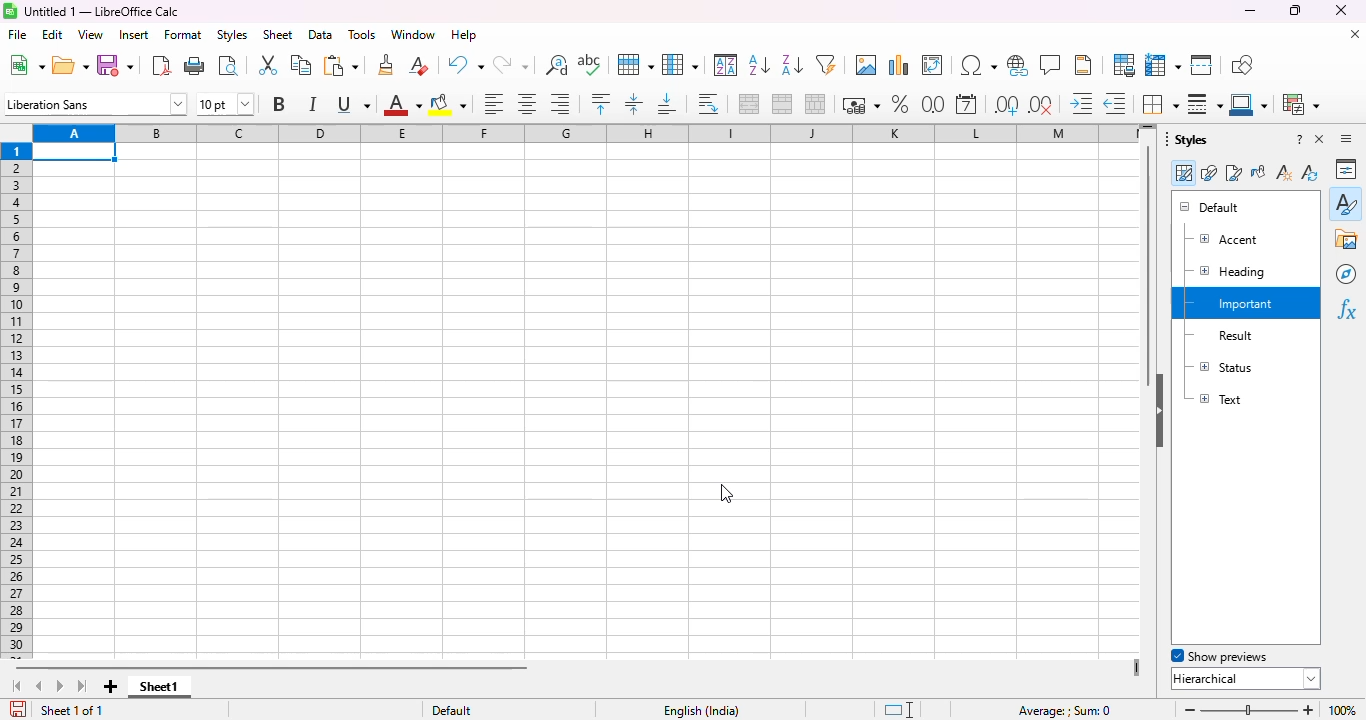 The image size is (1366, 720). I want to click on find and replace, so click(557, 65).